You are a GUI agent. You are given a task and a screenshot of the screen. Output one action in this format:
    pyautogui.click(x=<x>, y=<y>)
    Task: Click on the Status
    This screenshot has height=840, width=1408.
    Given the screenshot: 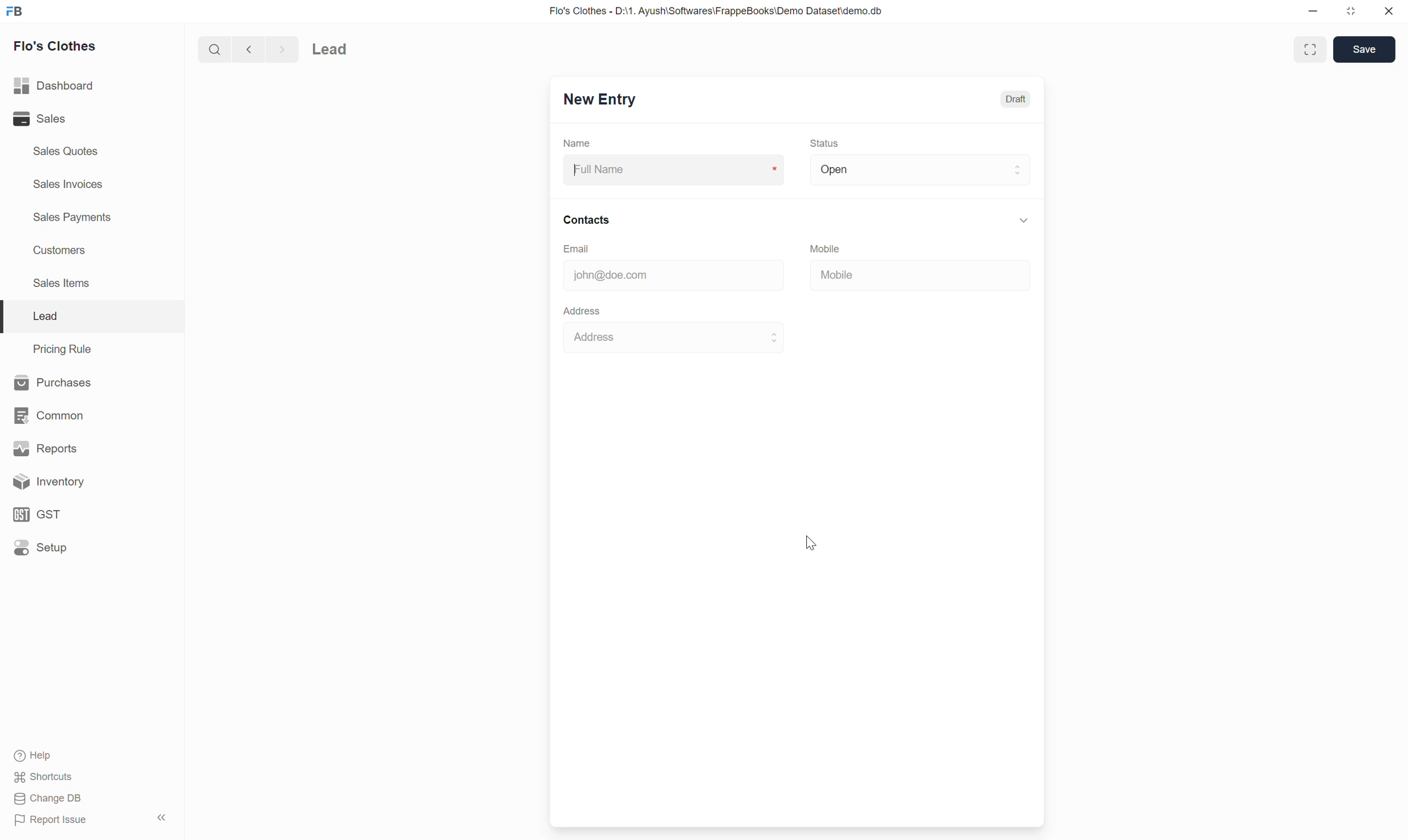 What is the action you would take?
    pyautogui.click(x=826, y=143)
    